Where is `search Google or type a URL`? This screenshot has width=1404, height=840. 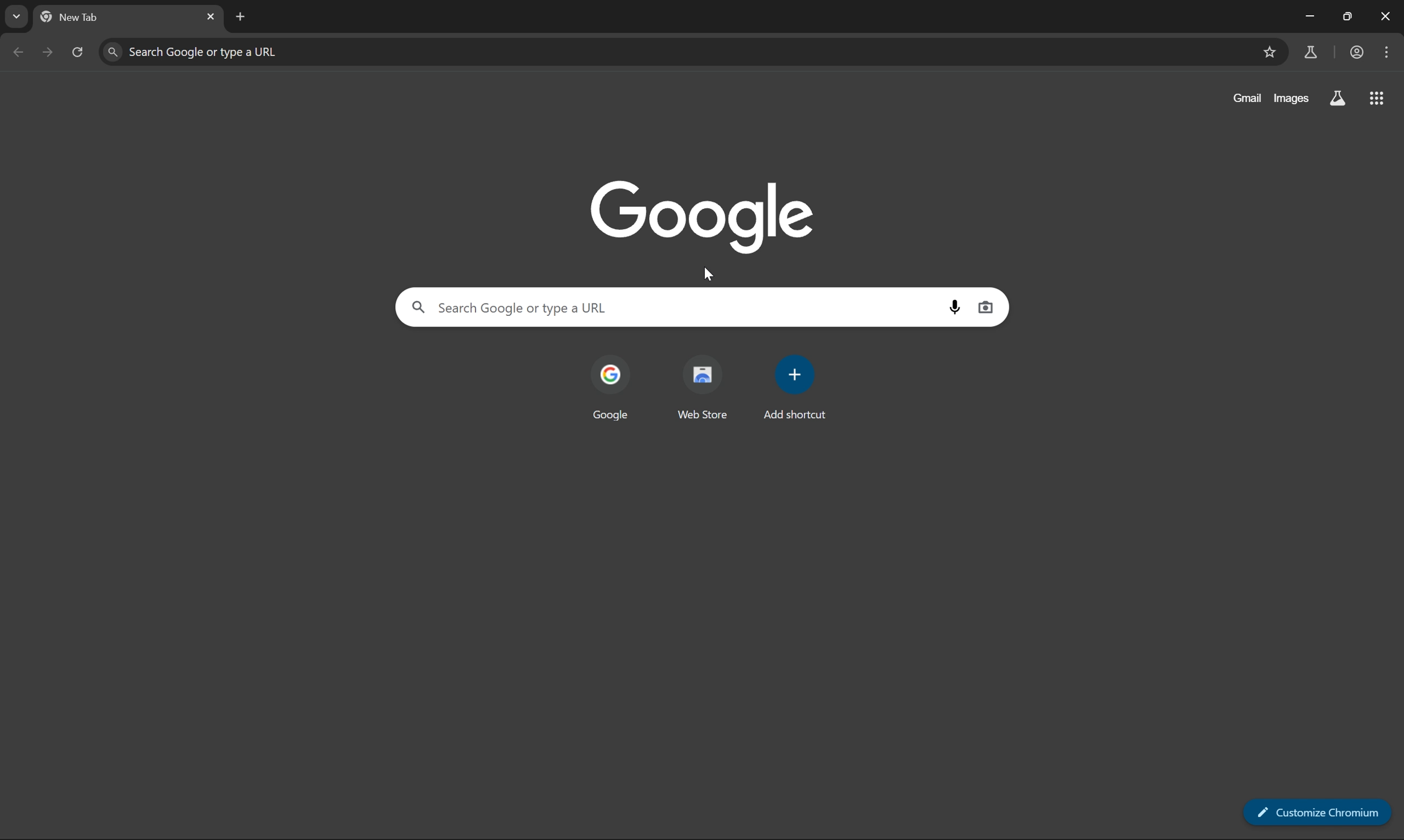
search Google or type a URL is located at coordinates (689, 52).